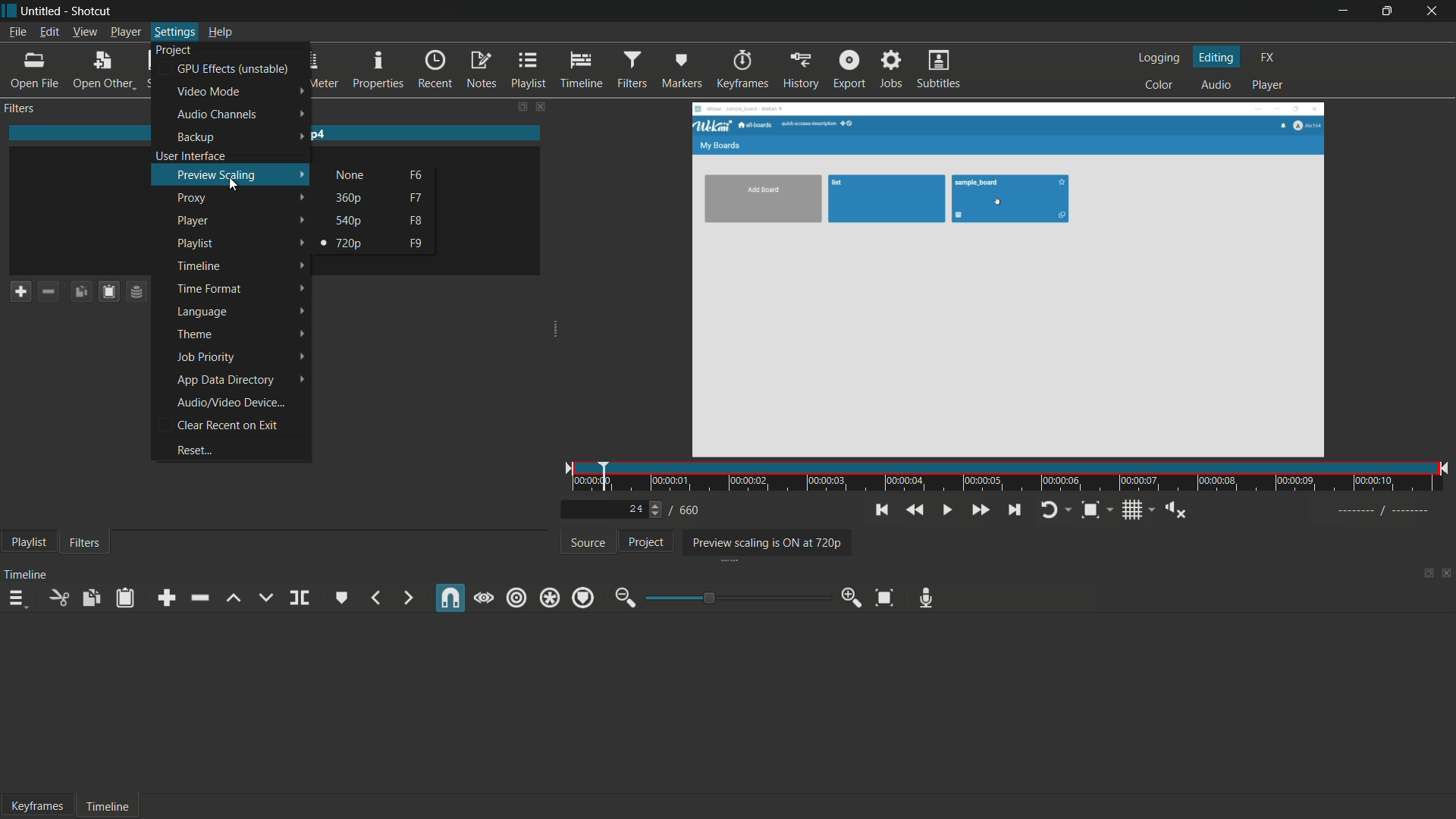 The height and width of the screenshot is (819, 1456). Describe the element at coordinates (1007, 281) in the screenshot. I see `preview window` at that location.